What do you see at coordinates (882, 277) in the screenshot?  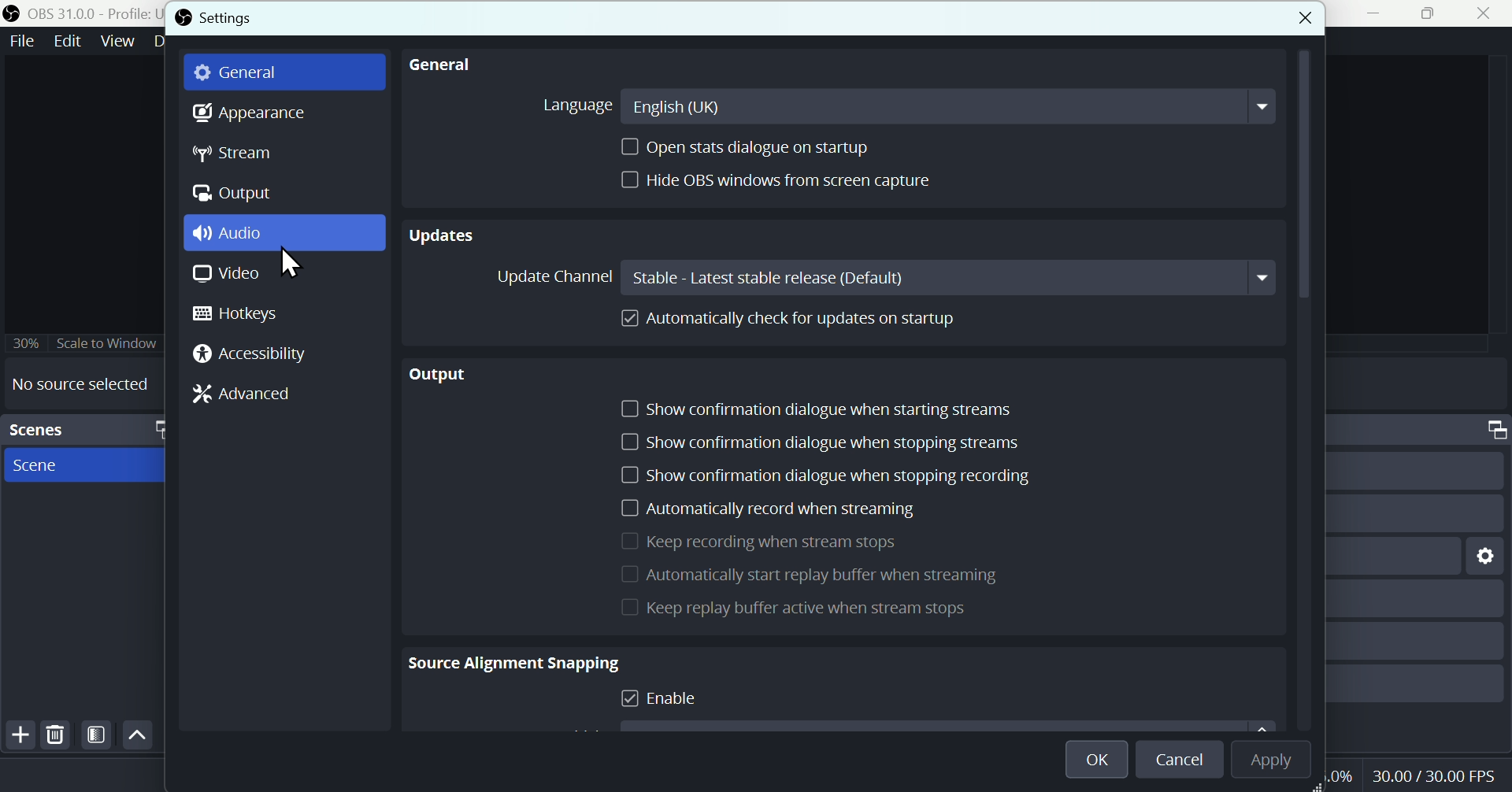 I see `Update channel` at bounding box center [882, 277].